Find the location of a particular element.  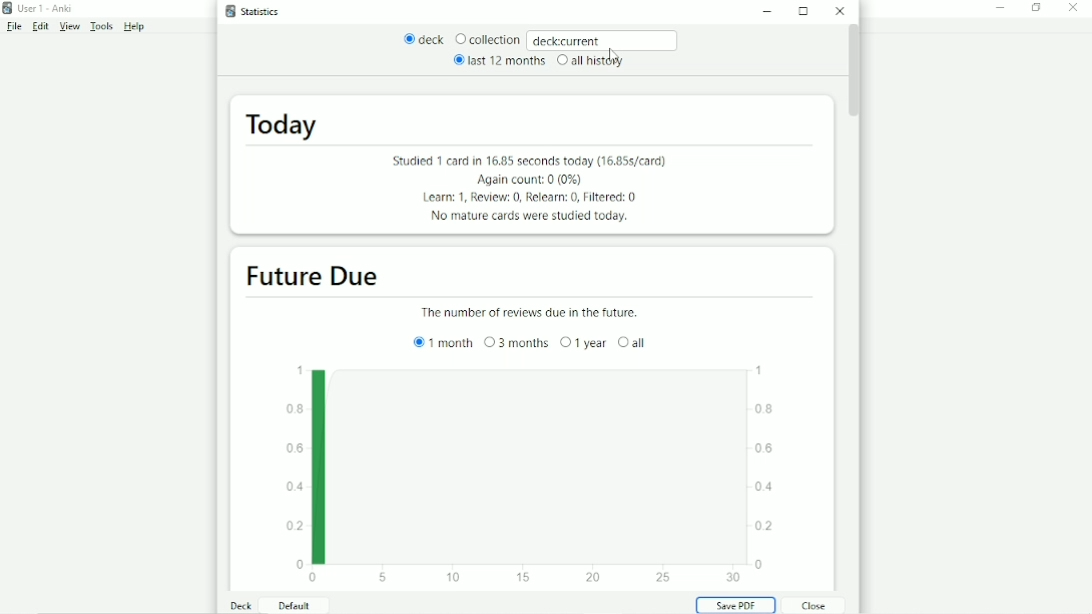

Tools is located at coordinates (98, 27).